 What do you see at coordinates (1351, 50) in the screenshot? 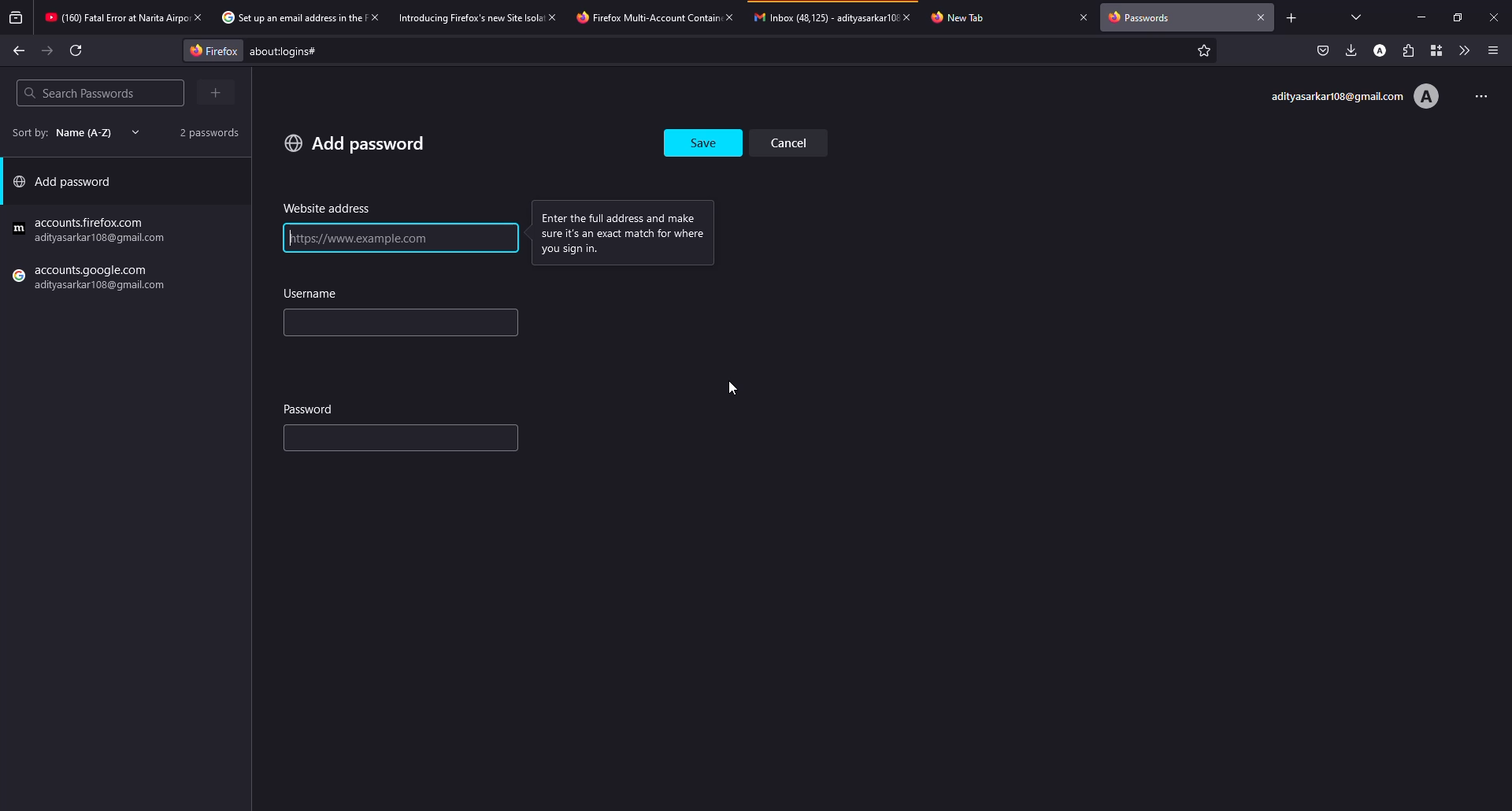
I see `downloads` at bounding box center [1351, 50].